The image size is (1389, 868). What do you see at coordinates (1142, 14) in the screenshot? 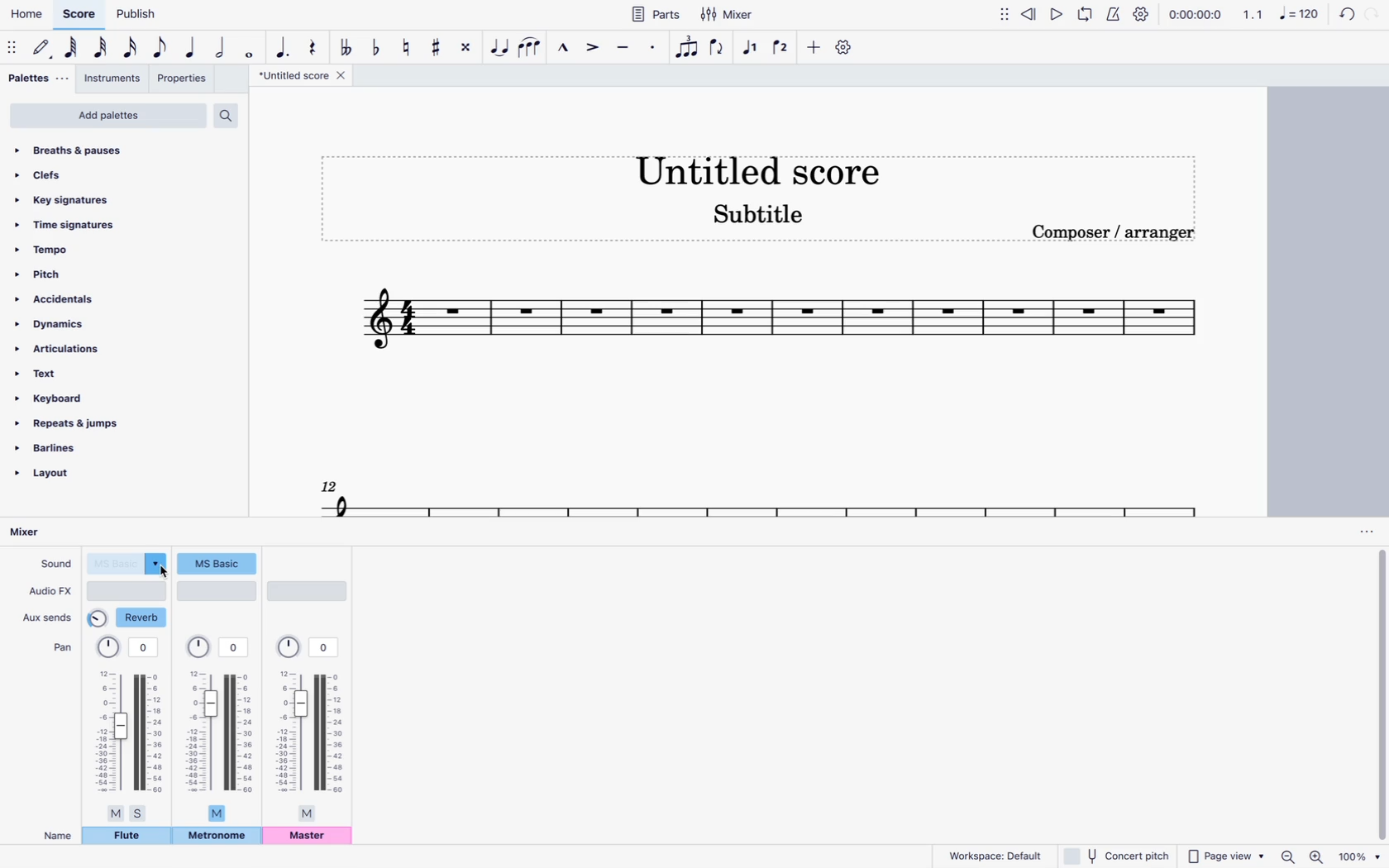
I see `settings` at bounding box center [1142, 14].